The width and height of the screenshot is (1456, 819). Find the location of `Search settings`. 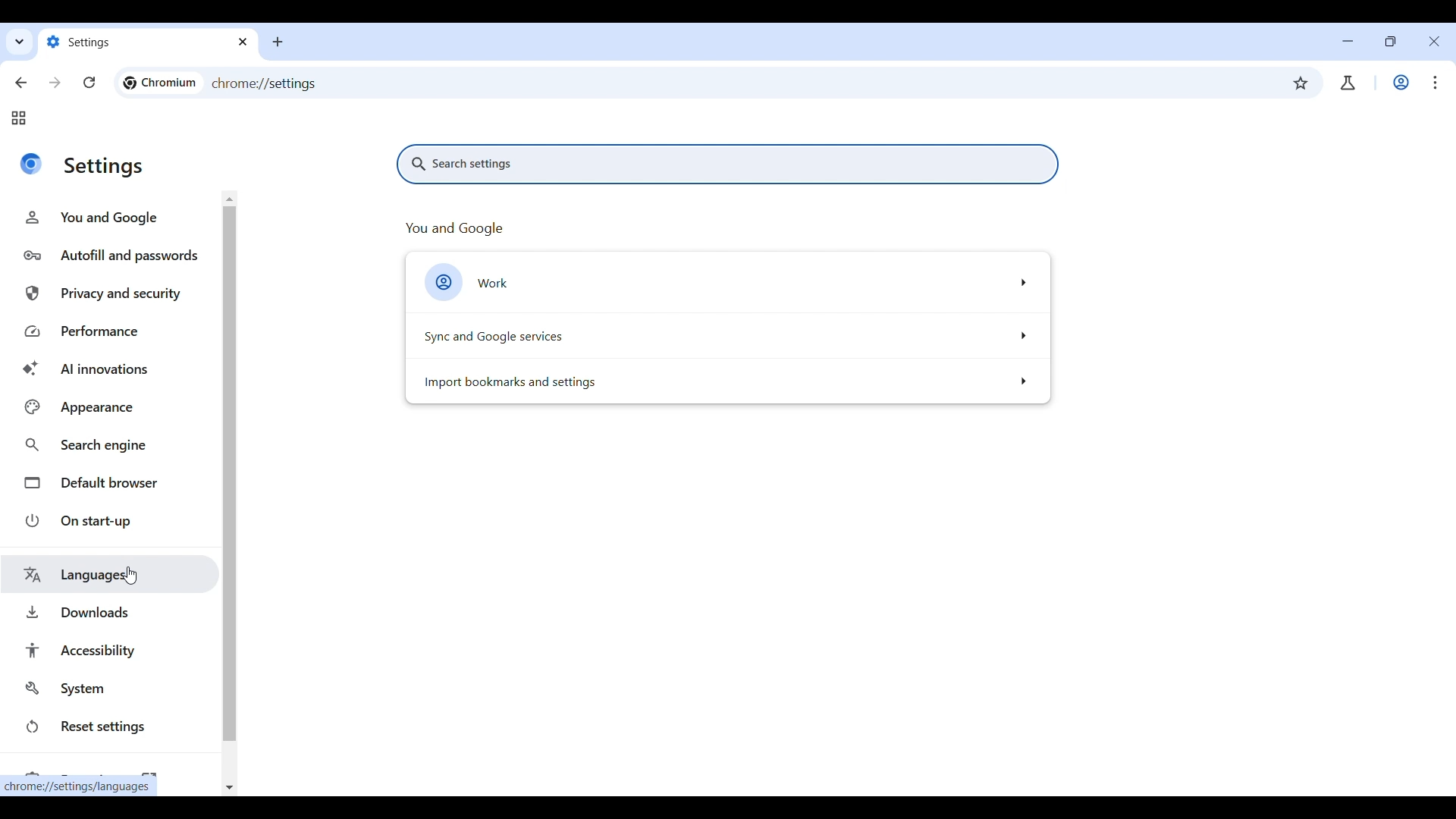

Search settings is located at coordinates (729, 164).